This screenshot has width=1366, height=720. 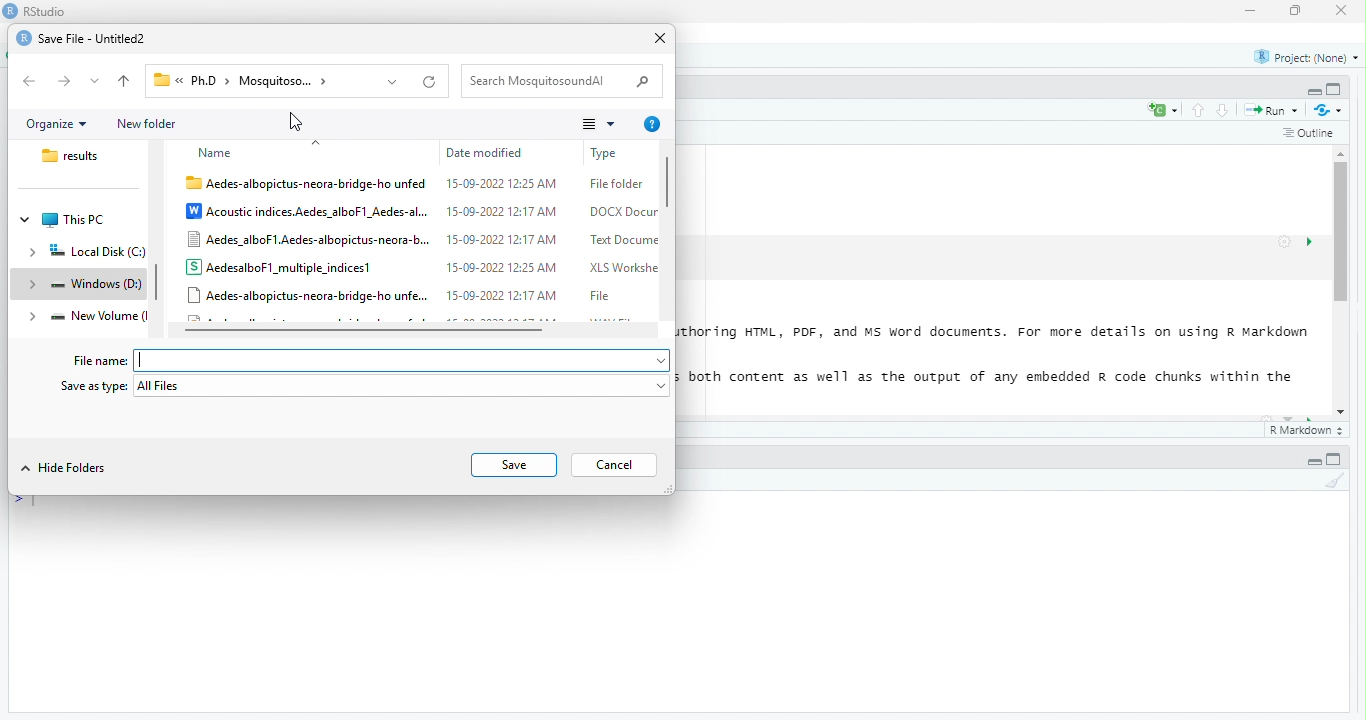 What do you see at coordinates (610, 154) in the screenshot?
I see `Type` at bounding box center [610, 154].